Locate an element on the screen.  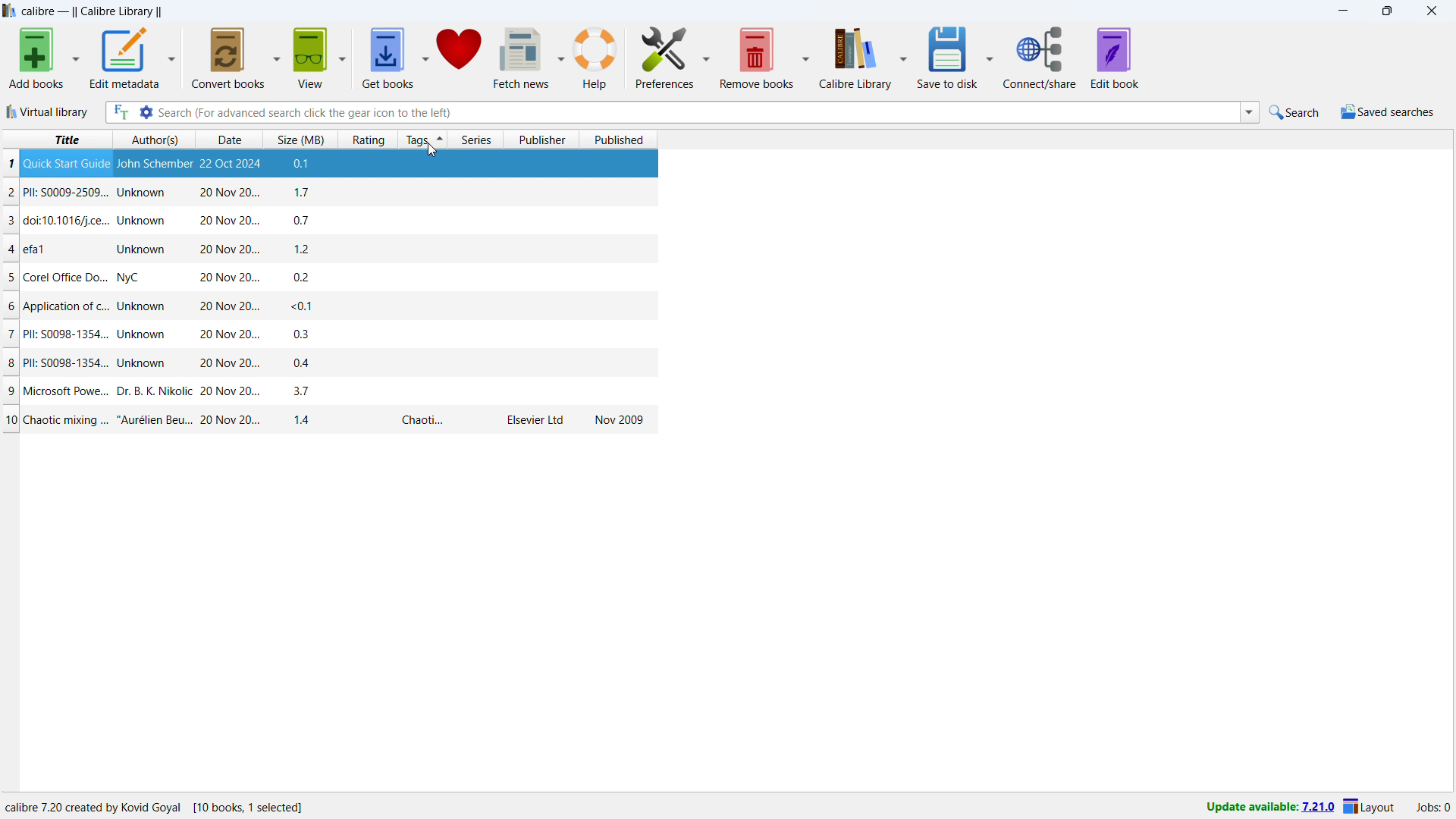
connect/share is located at coordinates (1040, 58).